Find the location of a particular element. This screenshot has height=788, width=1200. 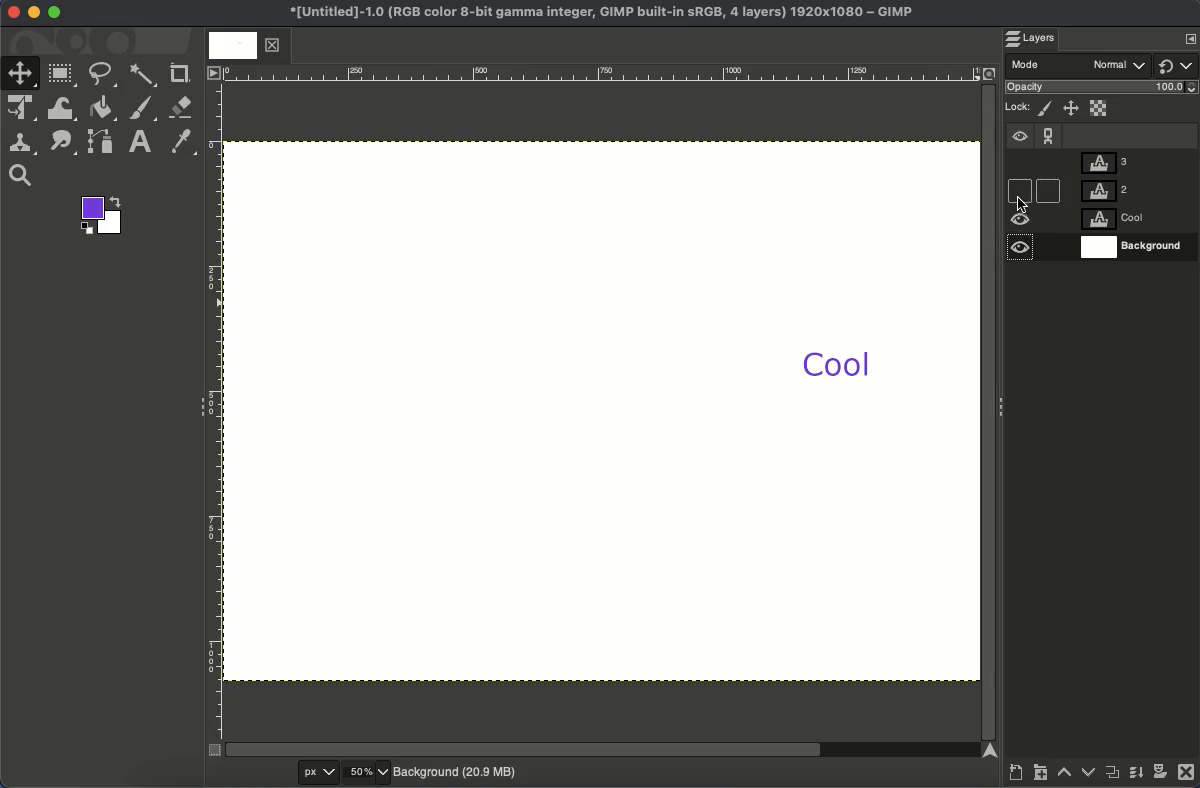

Free select is located at coordinates (106, 74).